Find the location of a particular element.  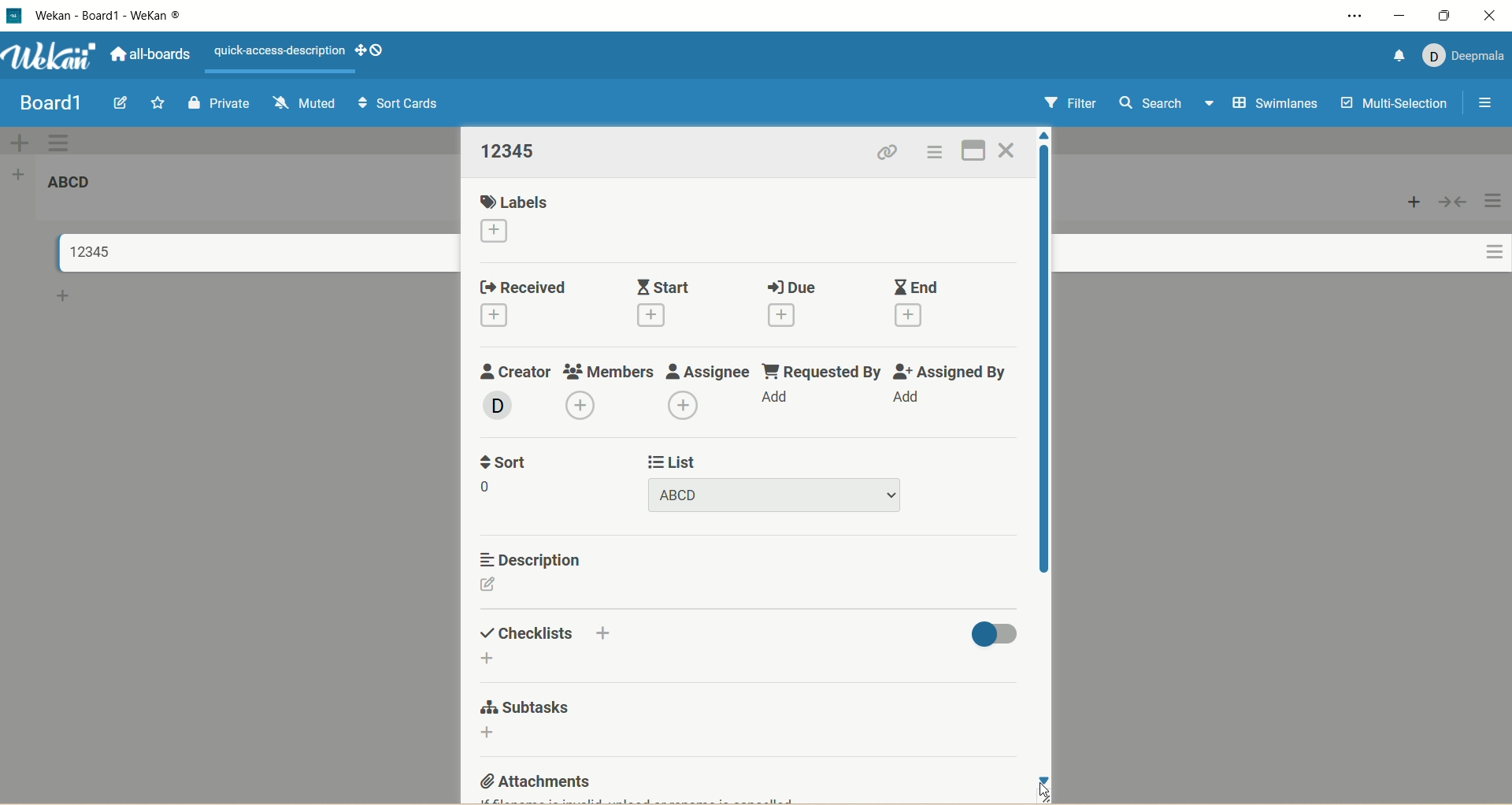

due is located at coordinates (791, 286).